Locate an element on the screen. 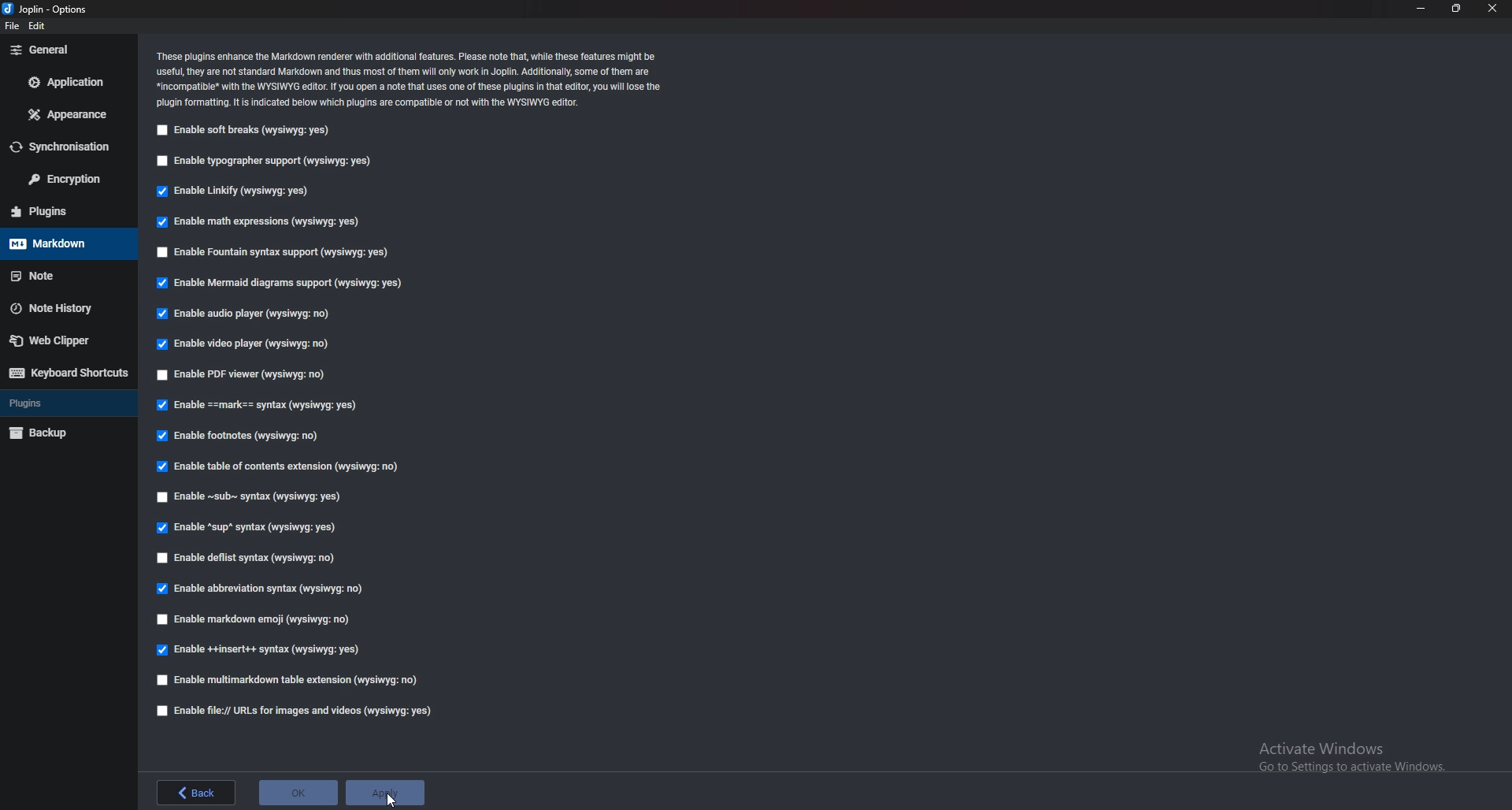 The width and height of the screenshot is (1512, 810). Enable typographer support is located at coordinates (271, 161).